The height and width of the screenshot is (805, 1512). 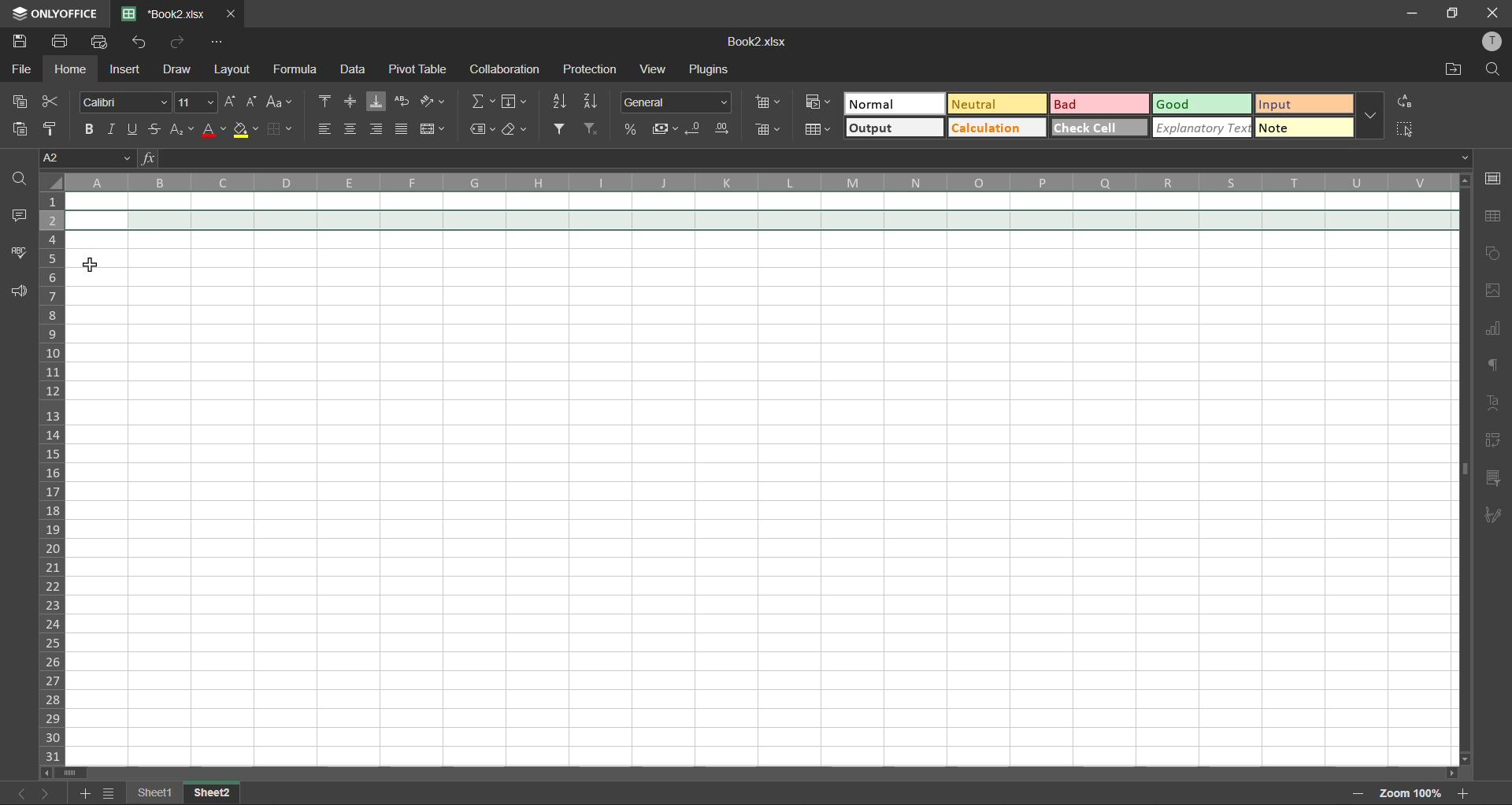 I want to click on bold, so click(x=90, y=128).